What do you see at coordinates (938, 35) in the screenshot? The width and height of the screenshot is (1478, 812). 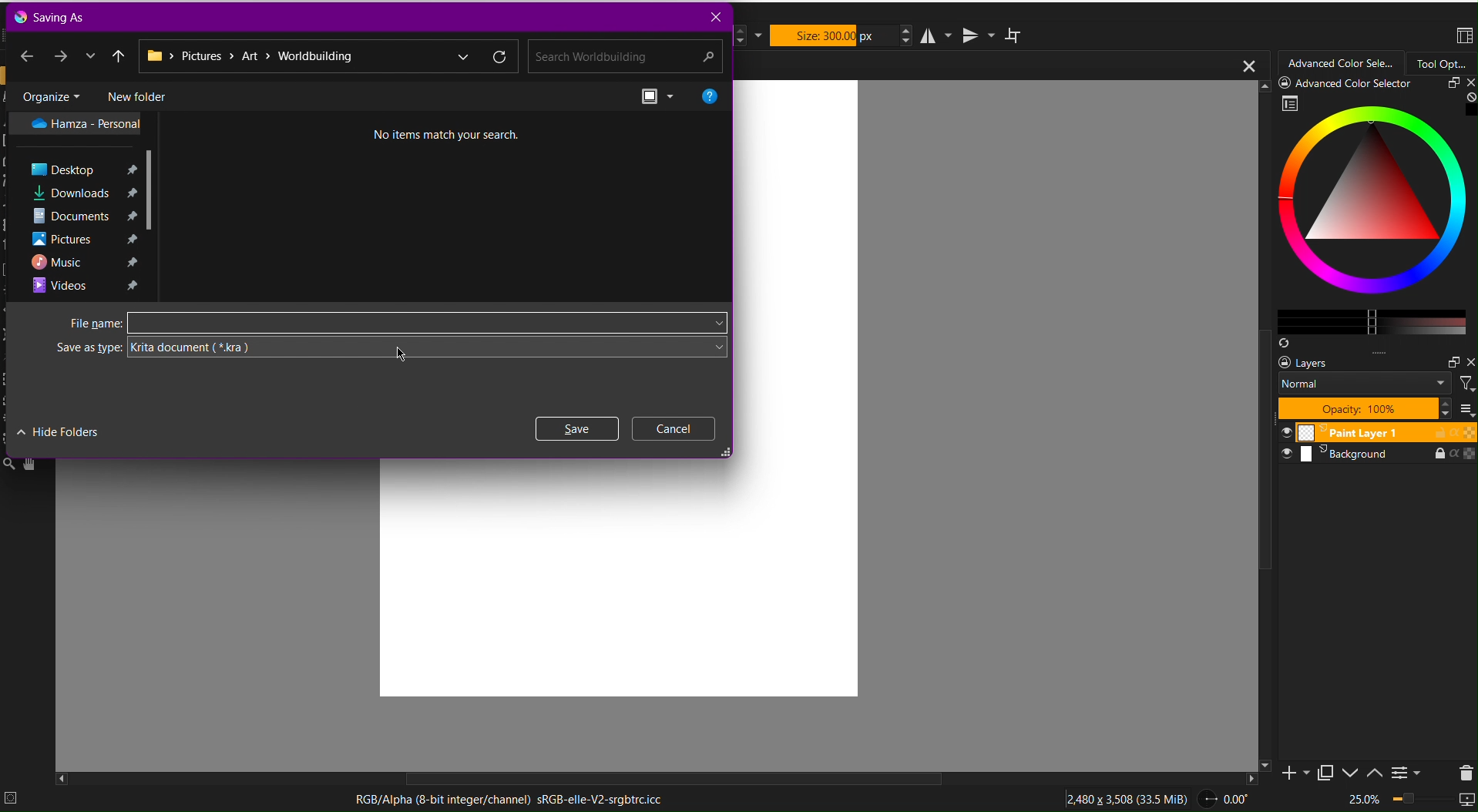 I see `Horizontal Mirror` at bounding box center [938, 35].